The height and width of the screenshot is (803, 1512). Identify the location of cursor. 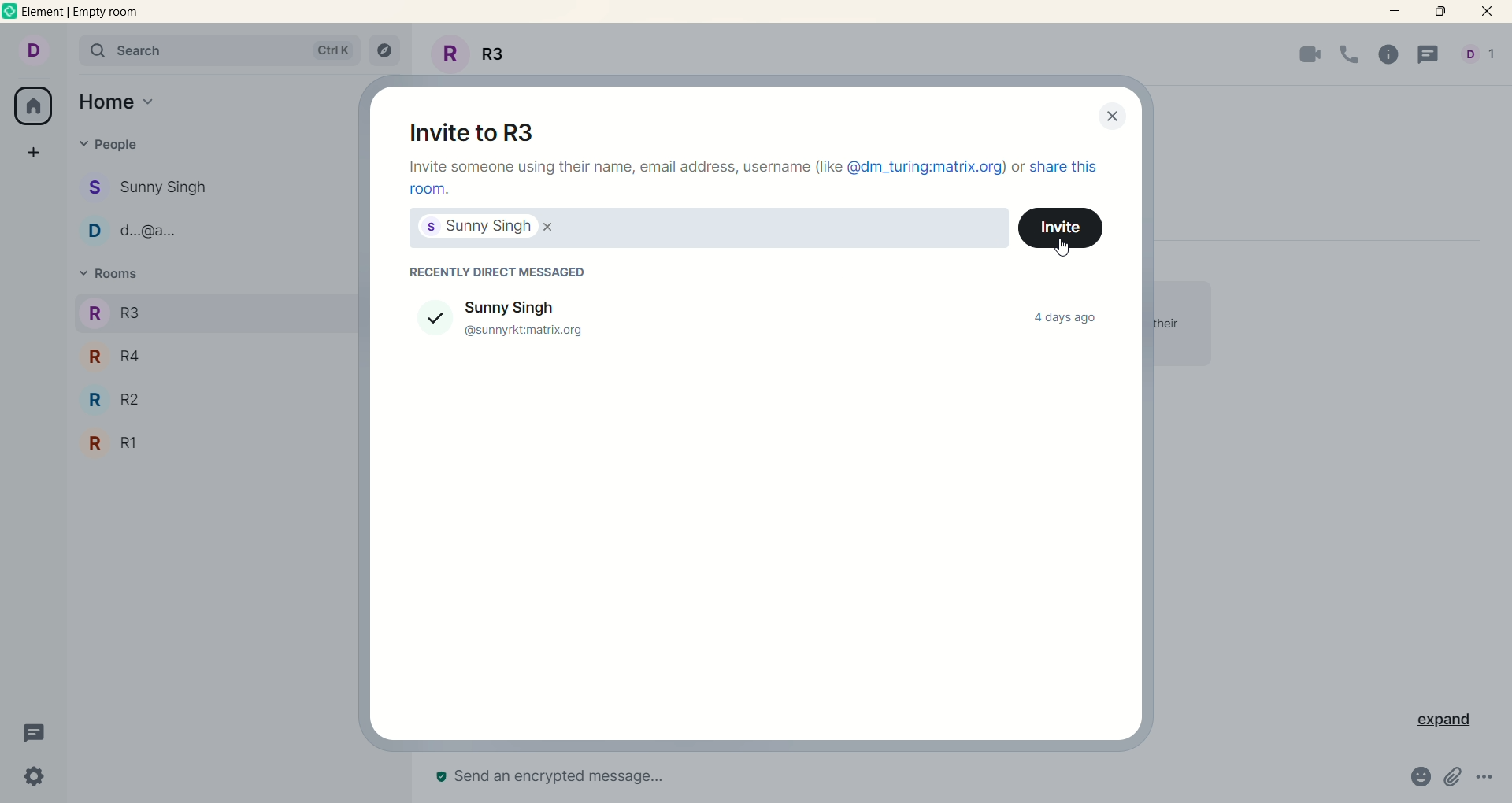
(1058, 247).